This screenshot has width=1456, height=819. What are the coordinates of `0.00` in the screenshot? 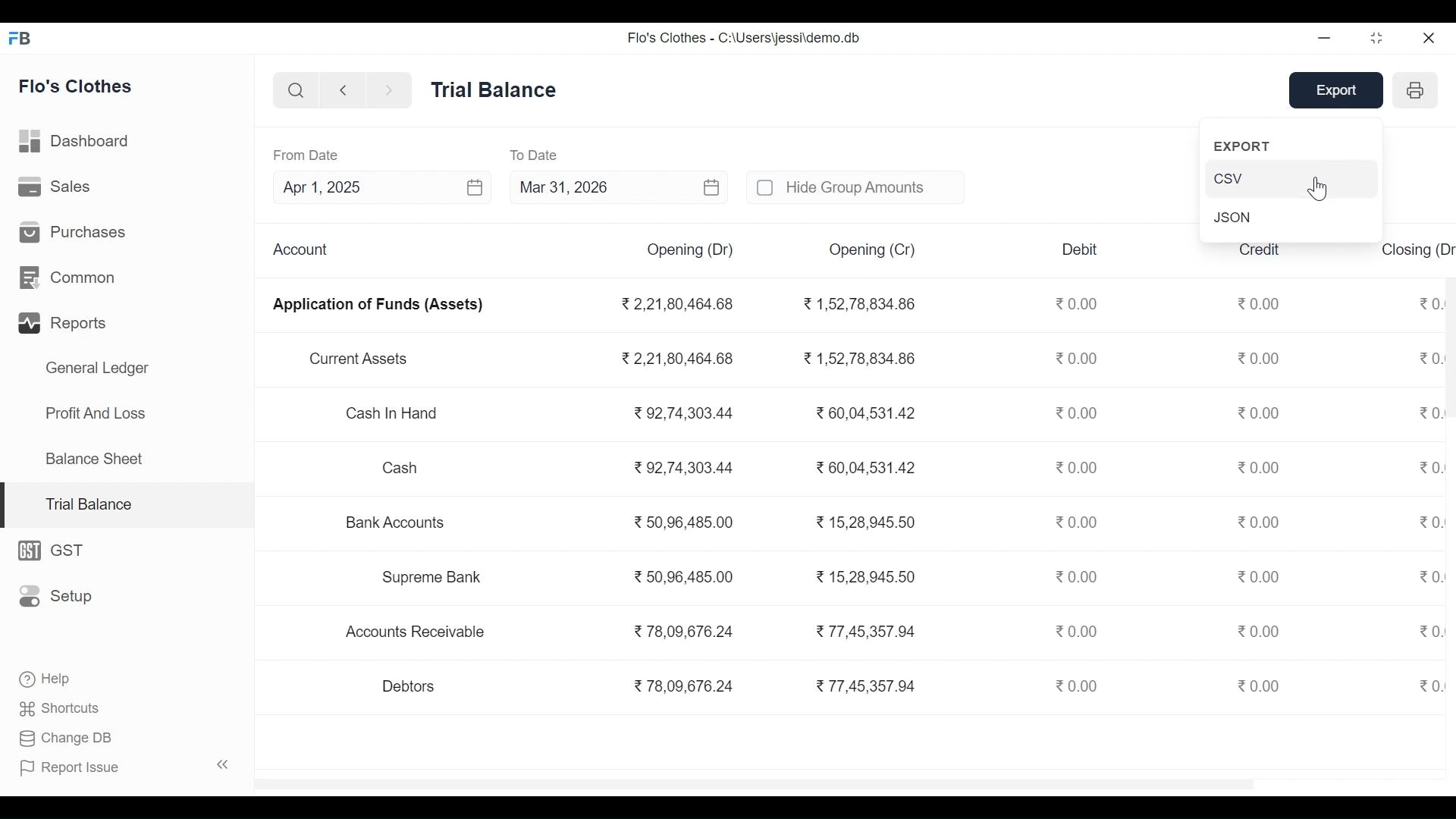 It's located at (1078, 303).